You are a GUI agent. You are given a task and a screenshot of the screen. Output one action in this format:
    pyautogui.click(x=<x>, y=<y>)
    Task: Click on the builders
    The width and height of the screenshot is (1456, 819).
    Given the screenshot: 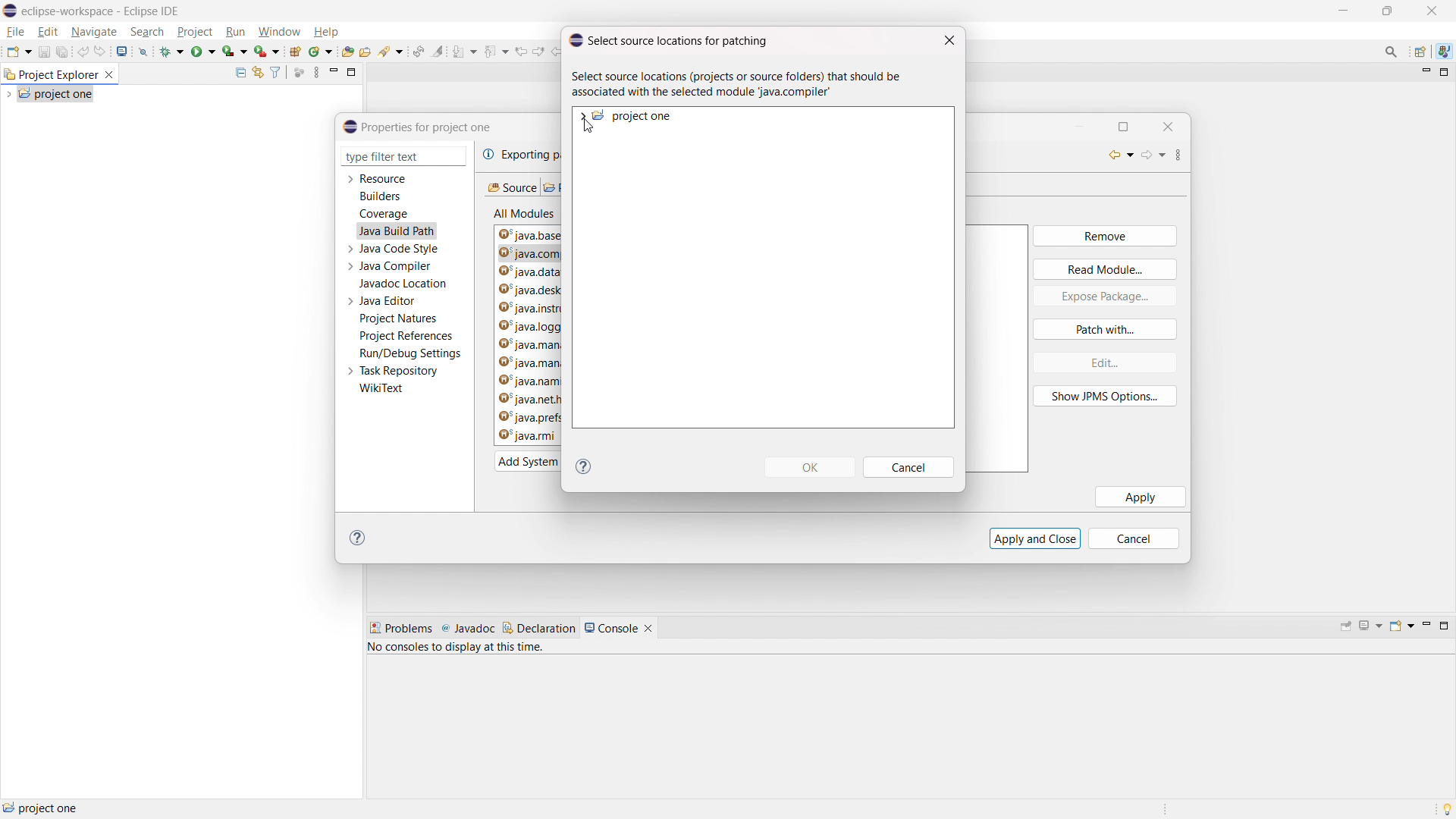 What is the action you would take?
    pyautogui.click(x=380, y=196)
    